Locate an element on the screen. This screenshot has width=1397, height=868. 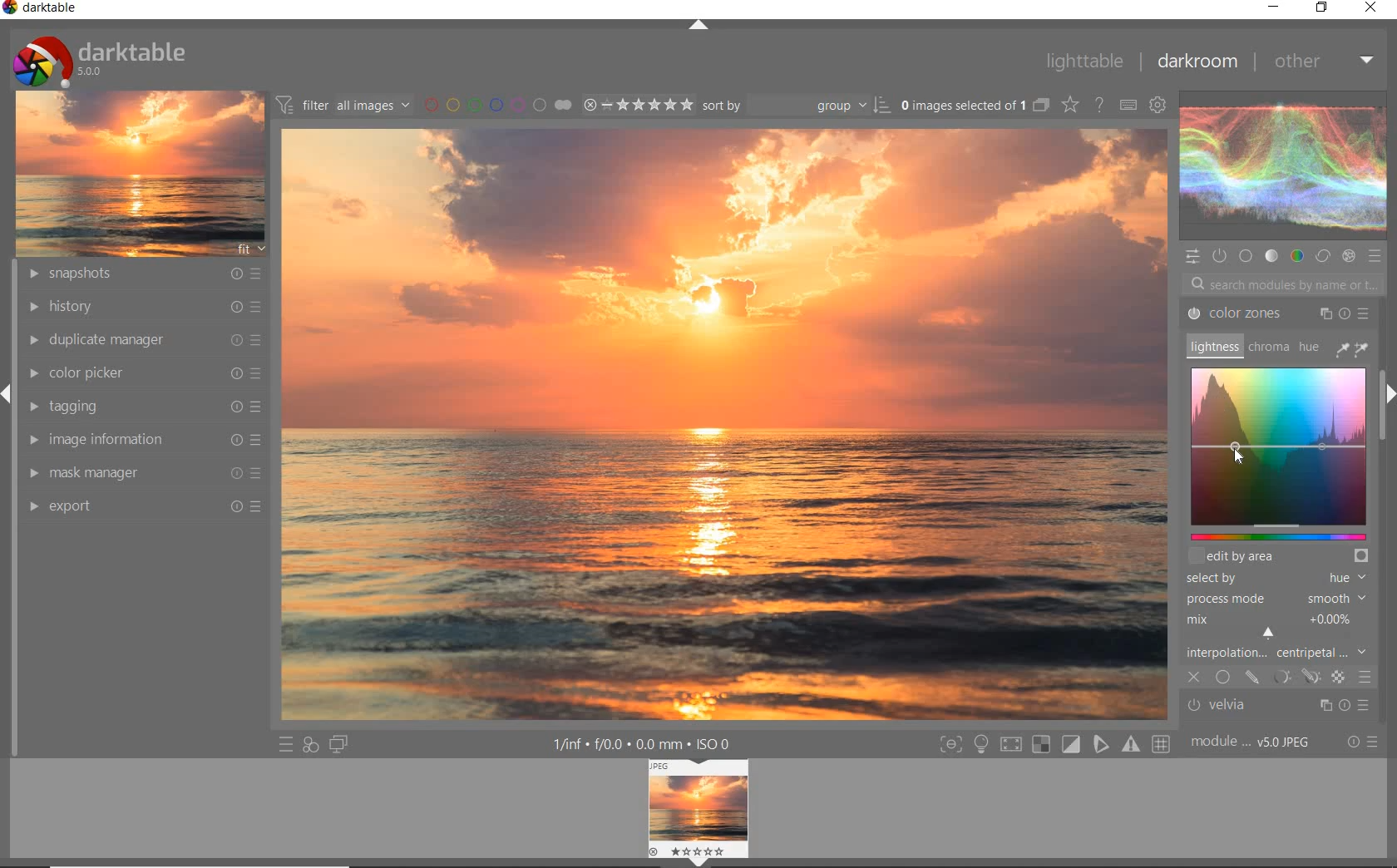
SYSTEM LOGO & NAME is located at coordinates (99, 57).